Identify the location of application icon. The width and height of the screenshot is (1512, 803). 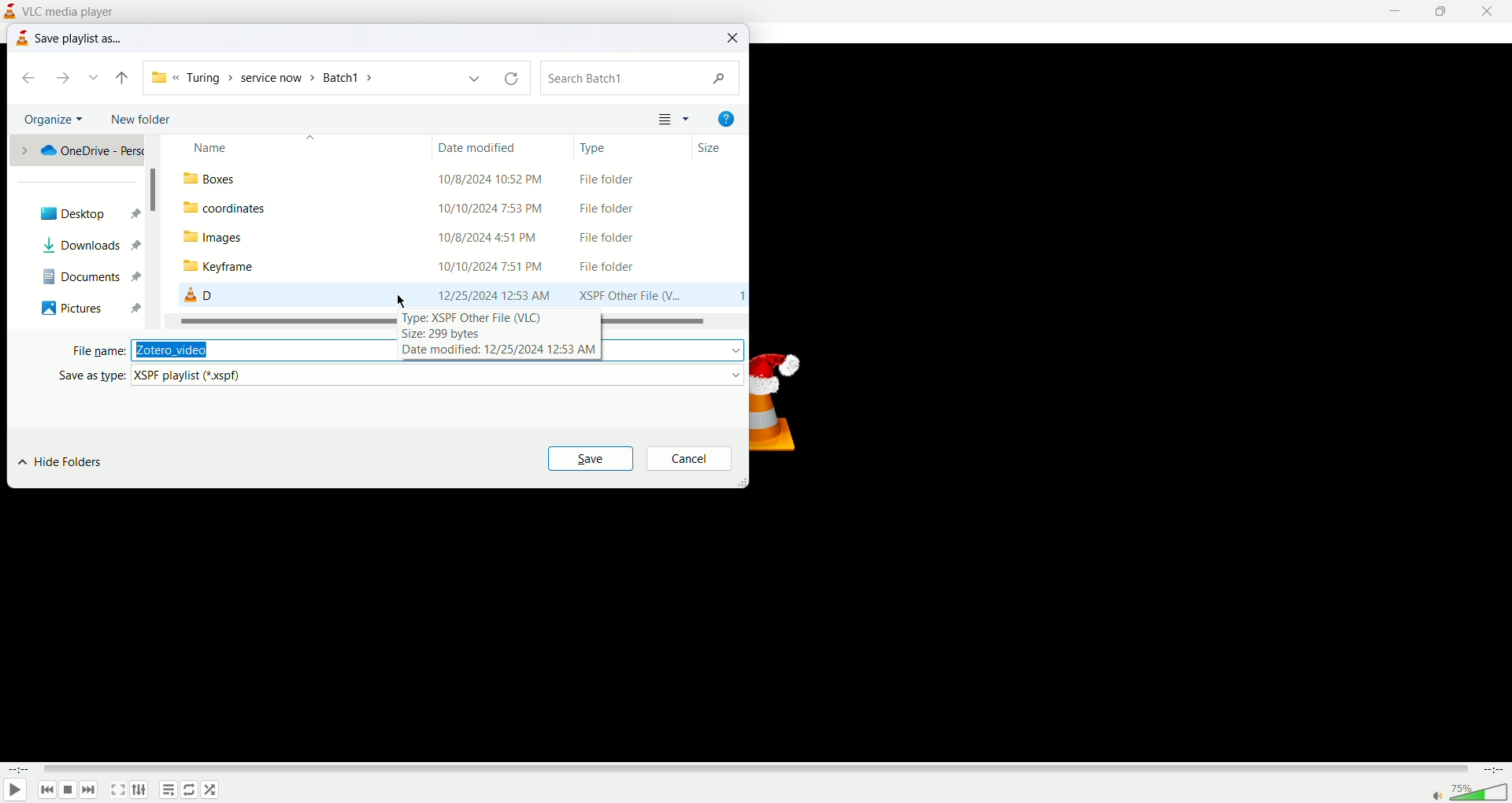
(13, 10).